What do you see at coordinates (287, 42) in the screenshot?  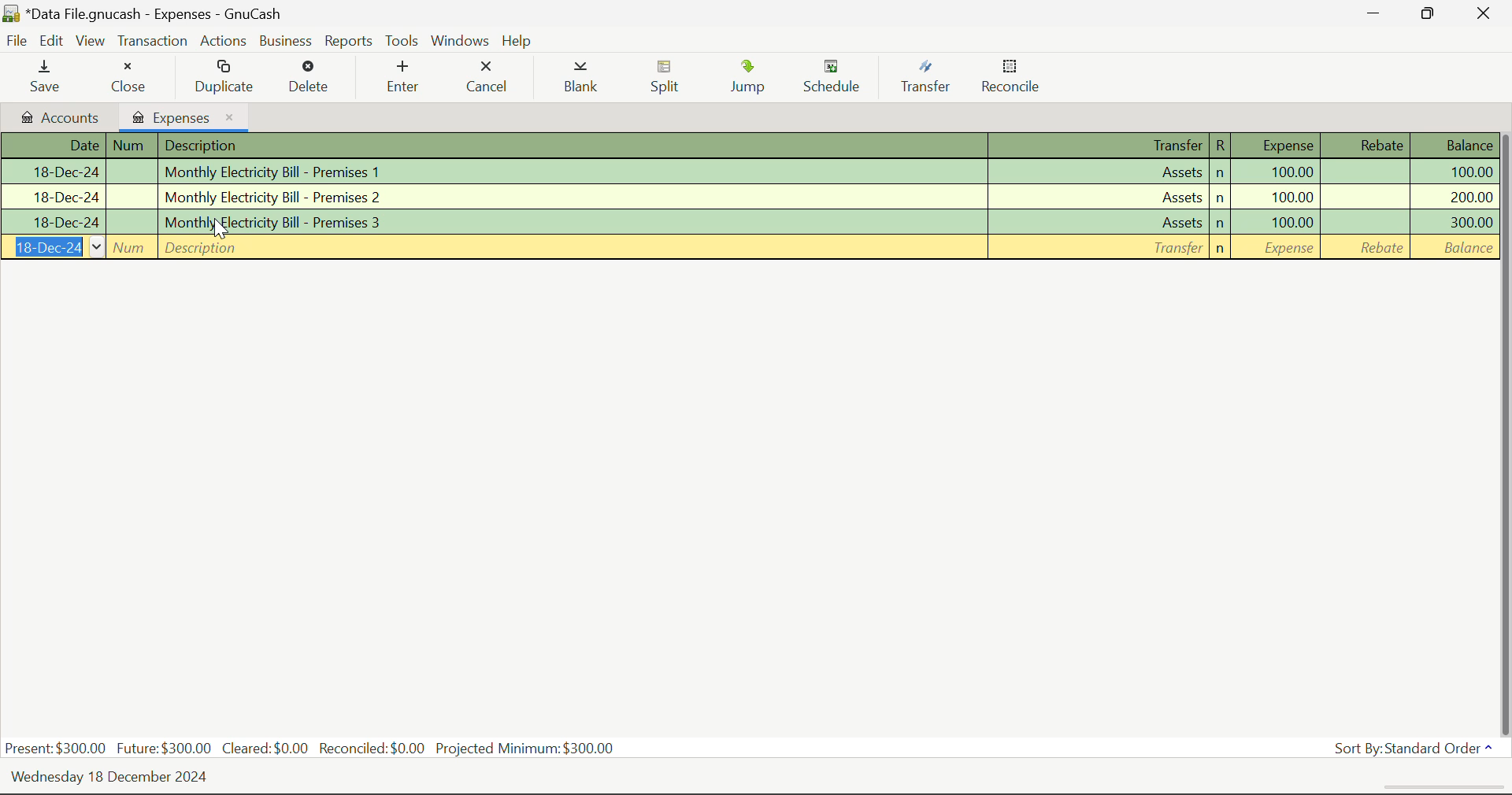 I see `Business` at bounding box center [287, 42].